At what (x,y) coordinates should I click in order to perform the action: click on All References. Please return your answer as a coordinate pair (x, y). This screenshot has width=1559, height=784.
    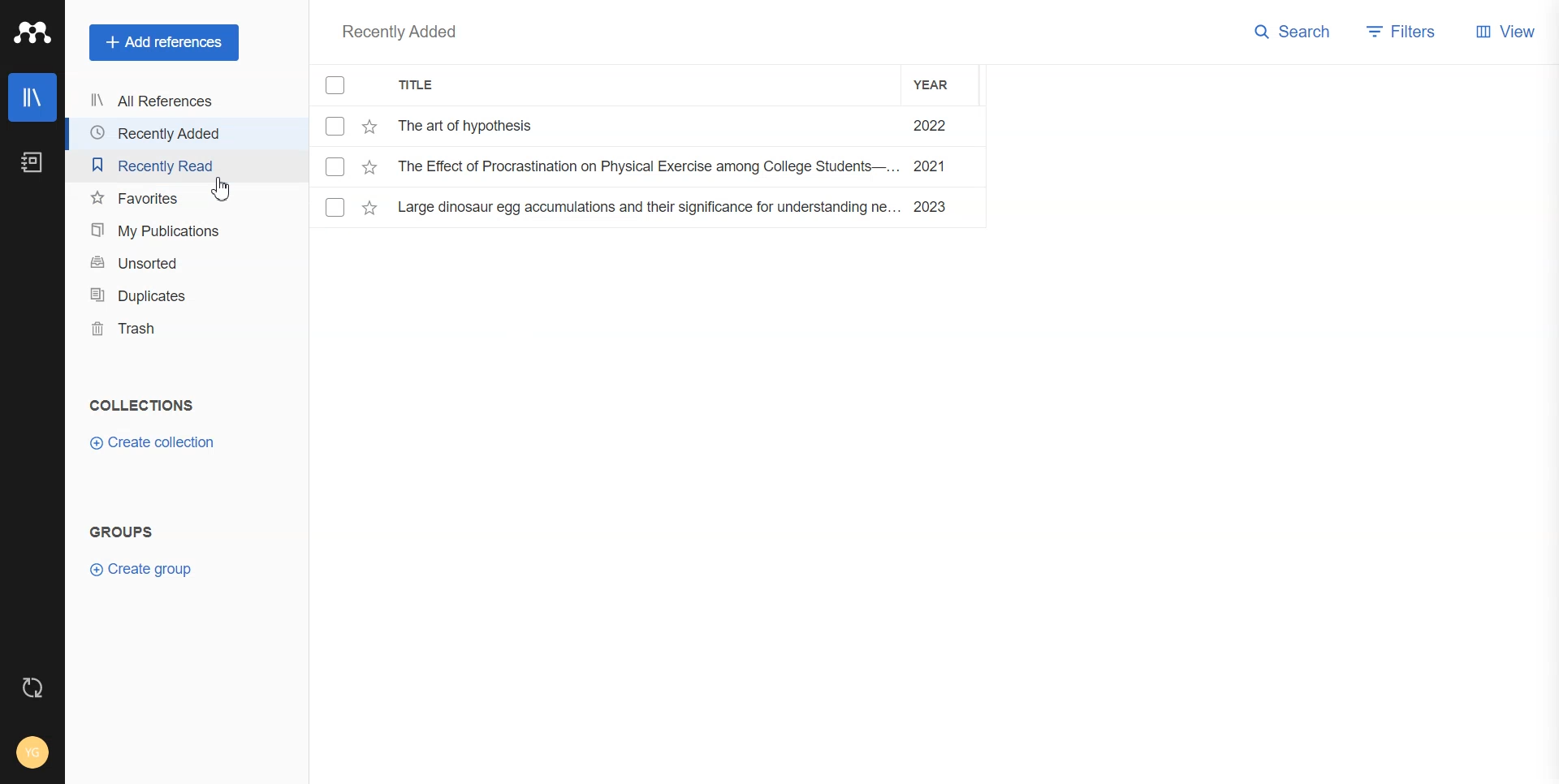
    Looking at the image, I should click on (167, 102).